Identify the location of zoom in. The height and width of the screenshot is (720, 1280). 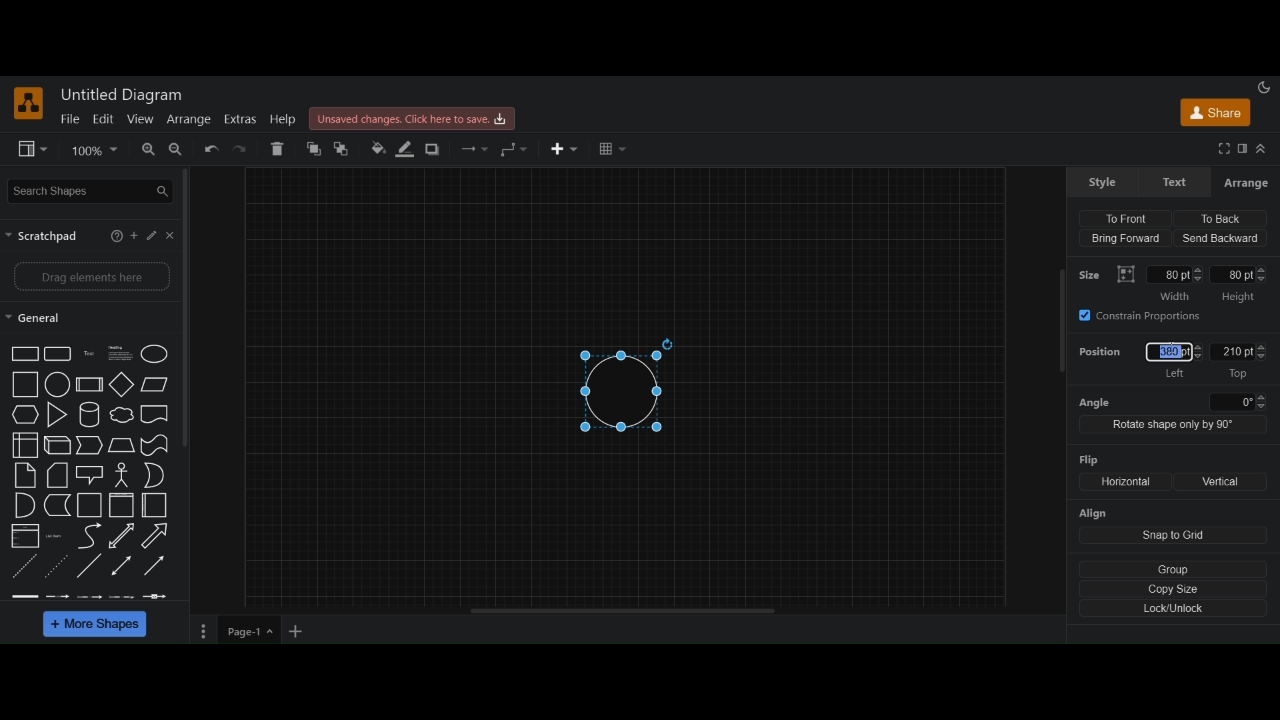
(146, 150).